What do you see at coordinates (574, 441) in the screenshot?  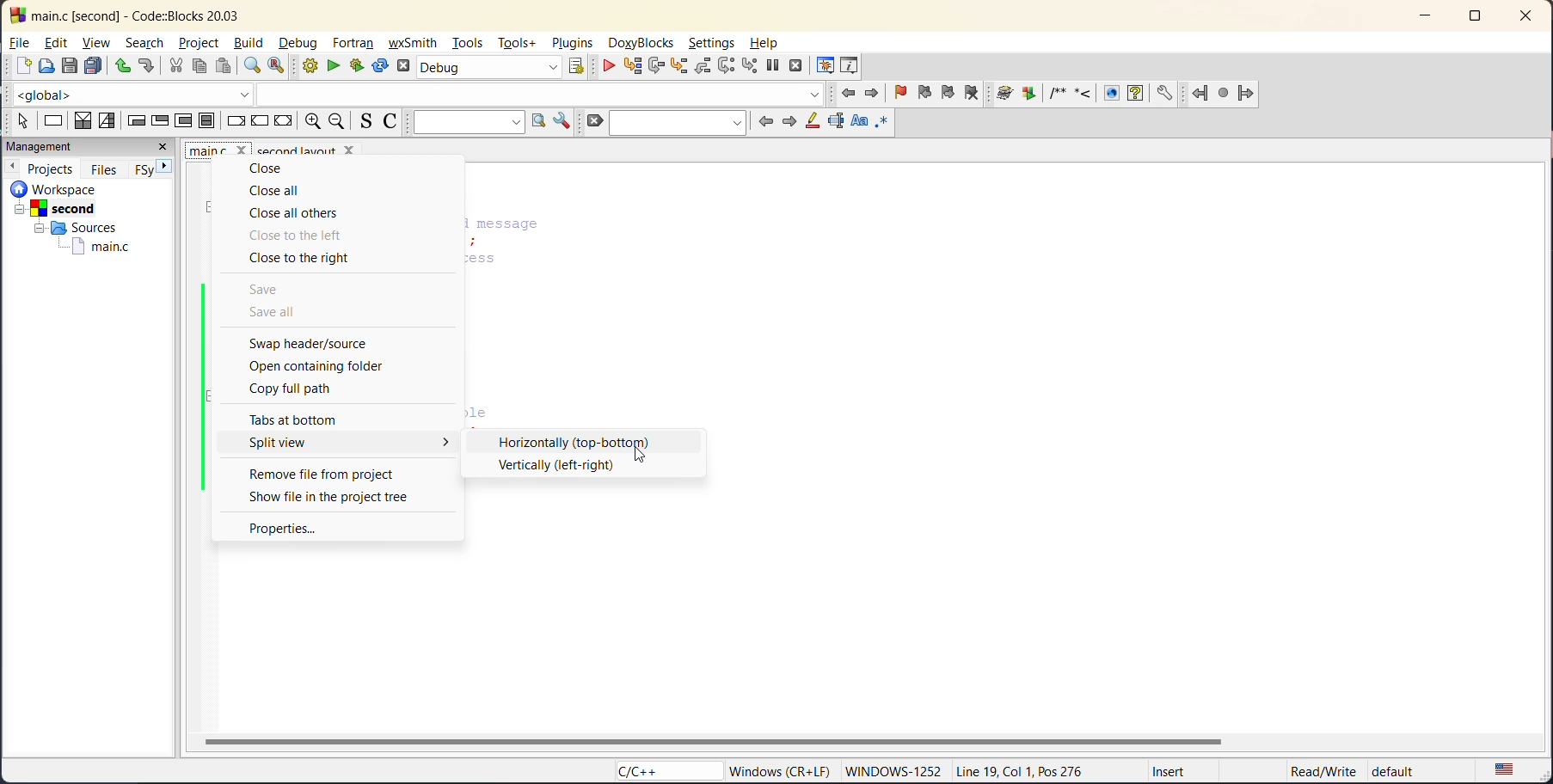 I see `horizontally` at bounding box center [574, 441].